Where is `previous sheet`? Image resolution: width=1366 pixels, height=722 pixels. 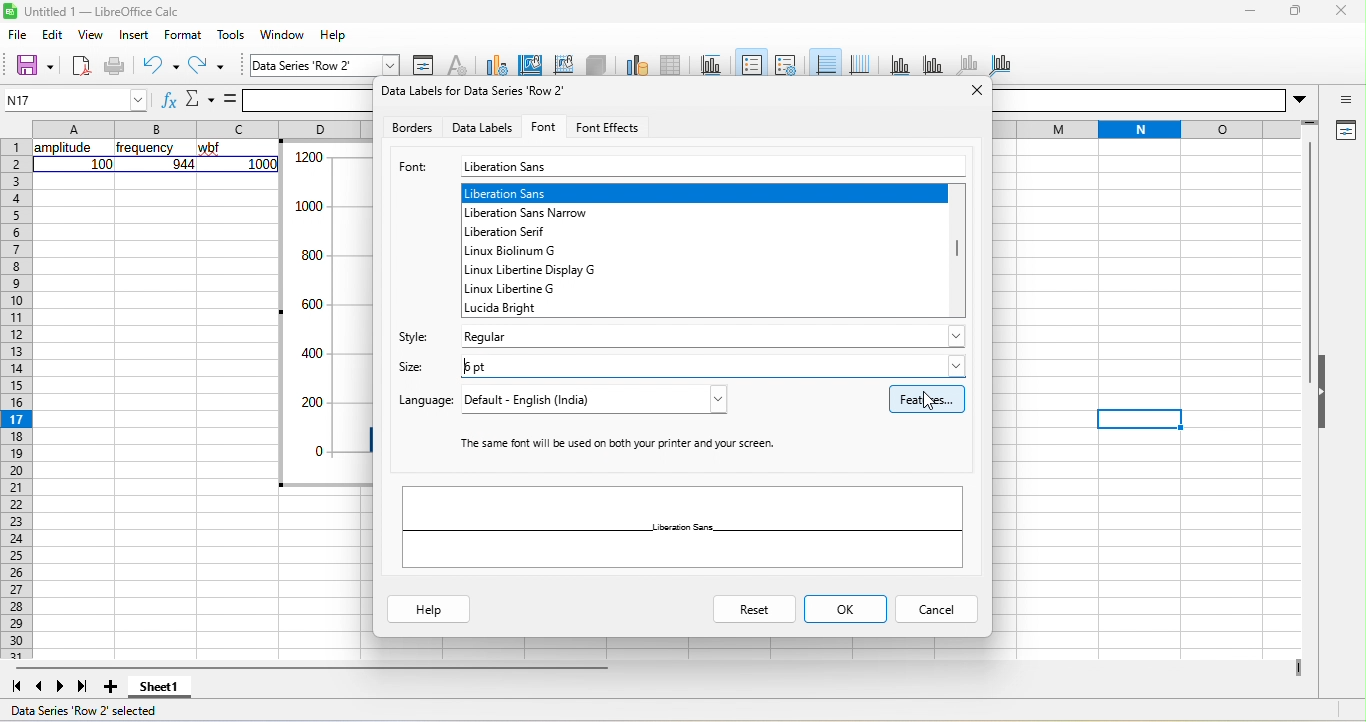
previous sheet is located at coordinates (41, 687).